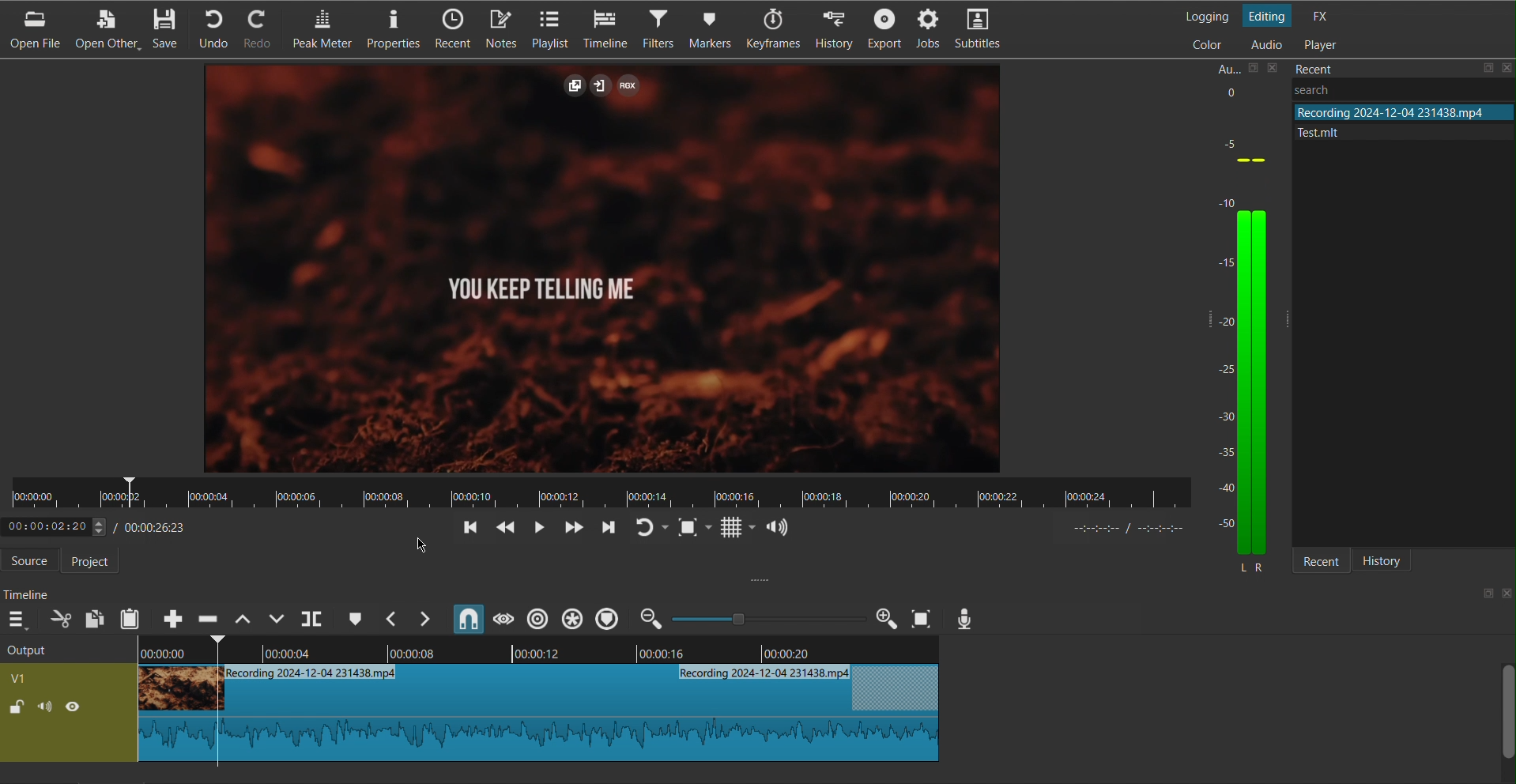 The width and height of the screenshot is (1516, 784). Describe the element at coordinates (1320, 14) in the screenshot. I see `FX` at that location.